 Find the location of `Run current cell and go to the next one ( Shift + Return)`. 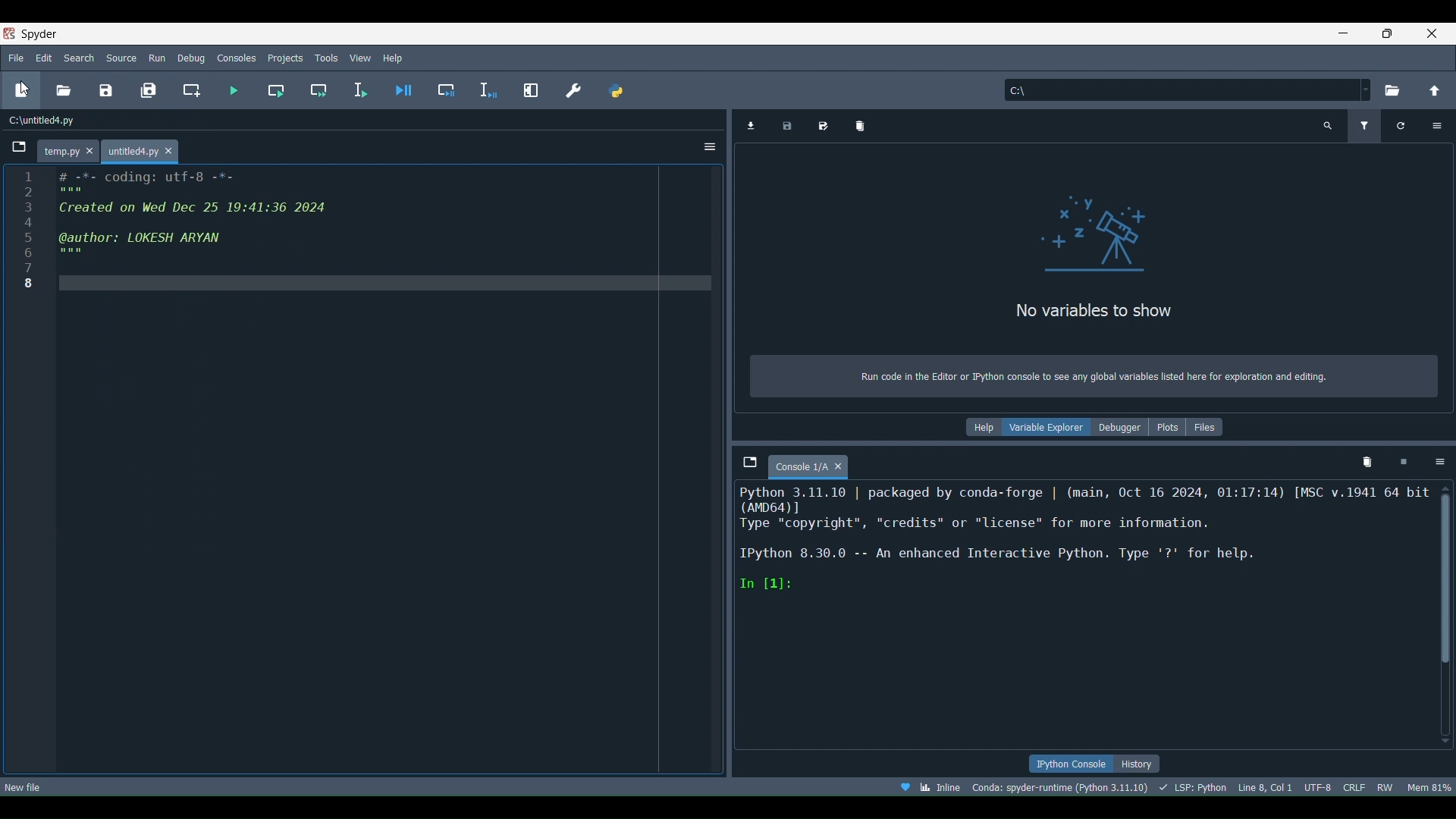

Run current cell and go to the next one ( Shift + Return) is located at coordinates (313, 91).